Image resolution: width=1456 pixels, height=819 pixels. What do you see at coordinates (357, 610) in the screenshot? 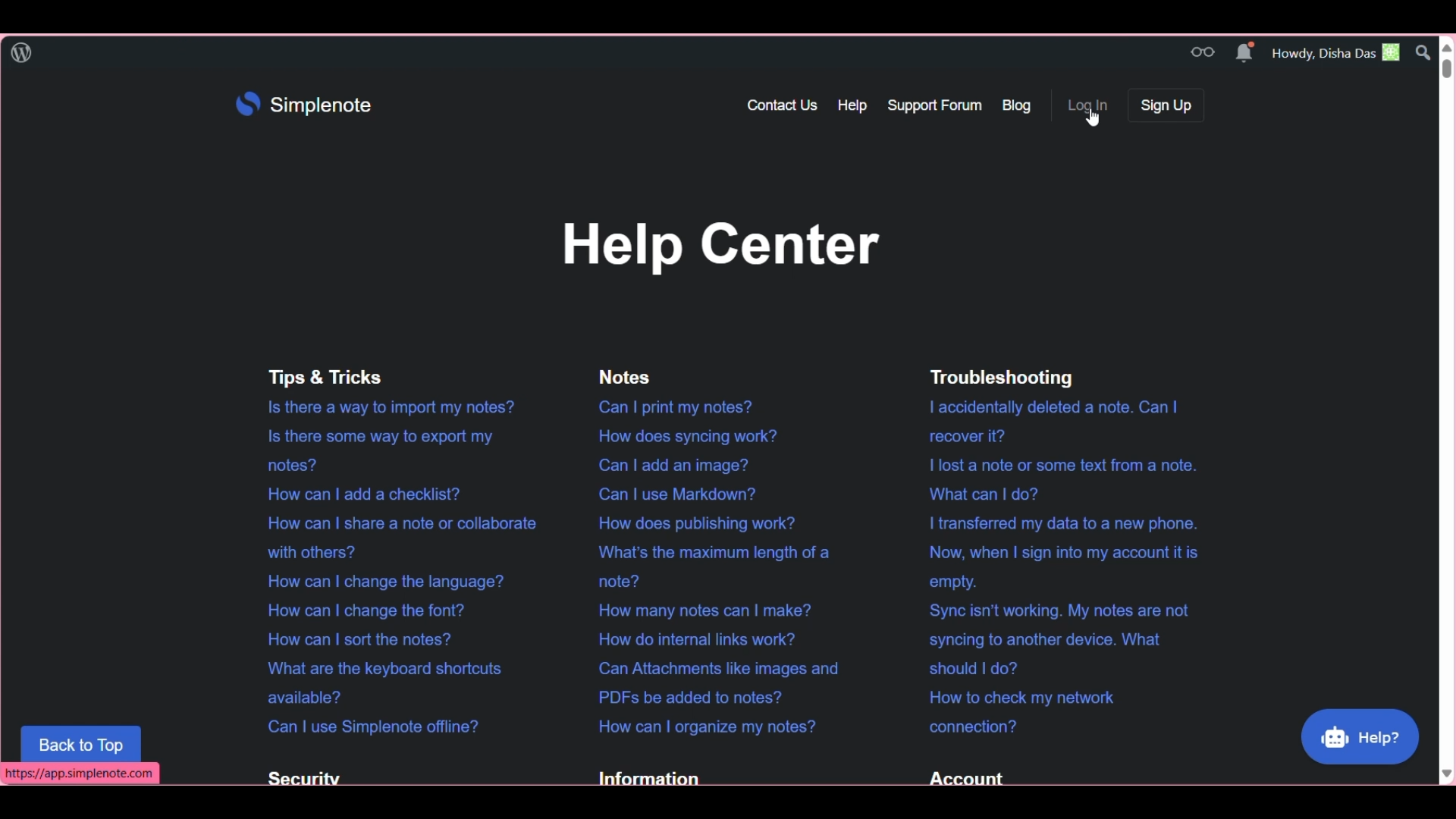
I see `How can | change the font?` at bounding box center [357, 610].